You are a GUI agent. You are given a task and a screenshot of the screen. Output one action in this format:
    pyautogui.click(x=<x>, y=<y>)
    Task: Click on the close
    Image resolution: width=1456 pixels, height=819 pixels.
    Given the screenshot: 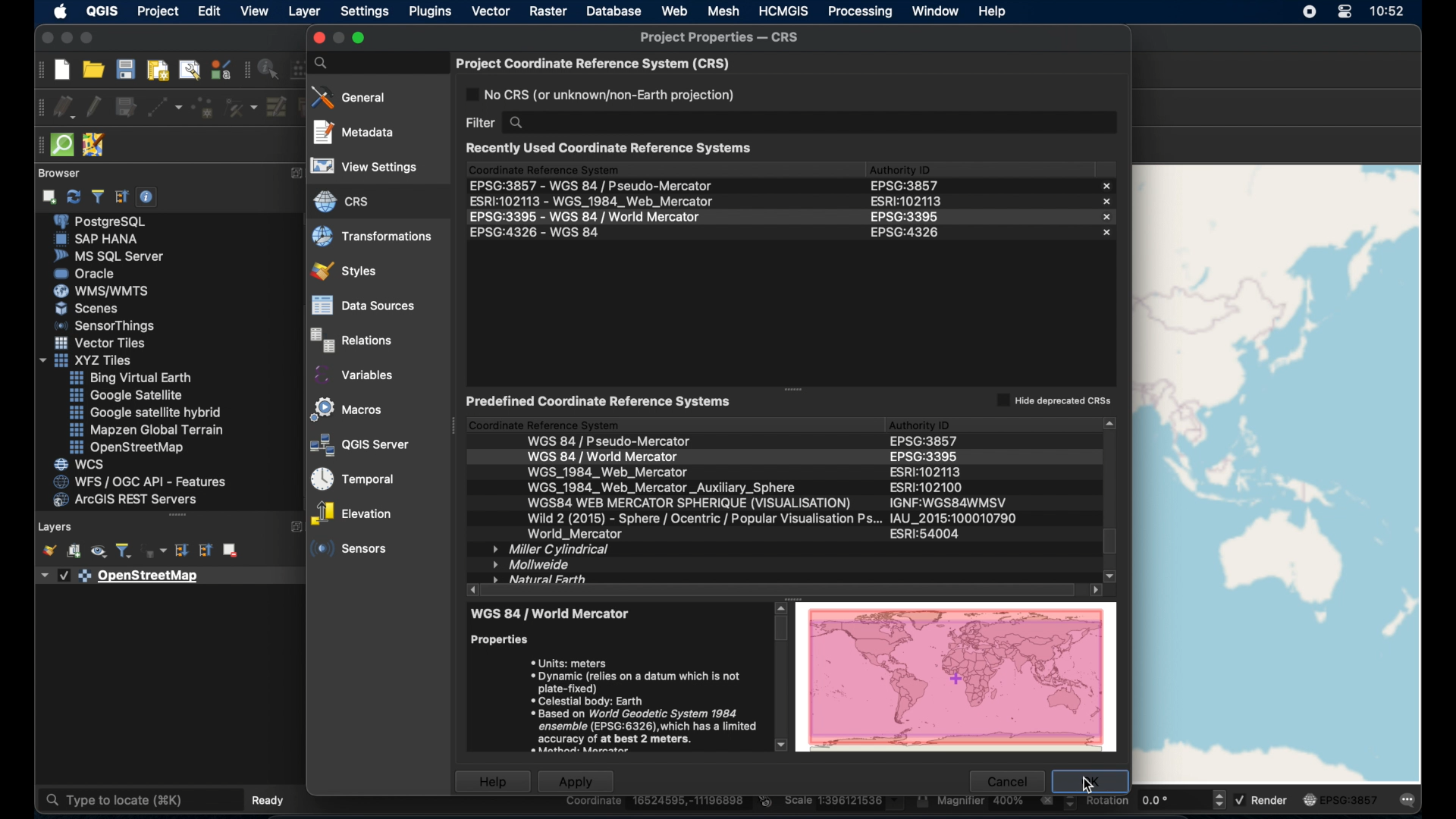 What is the action you would take?
    pyautogui.click(x=45, y=37)
    